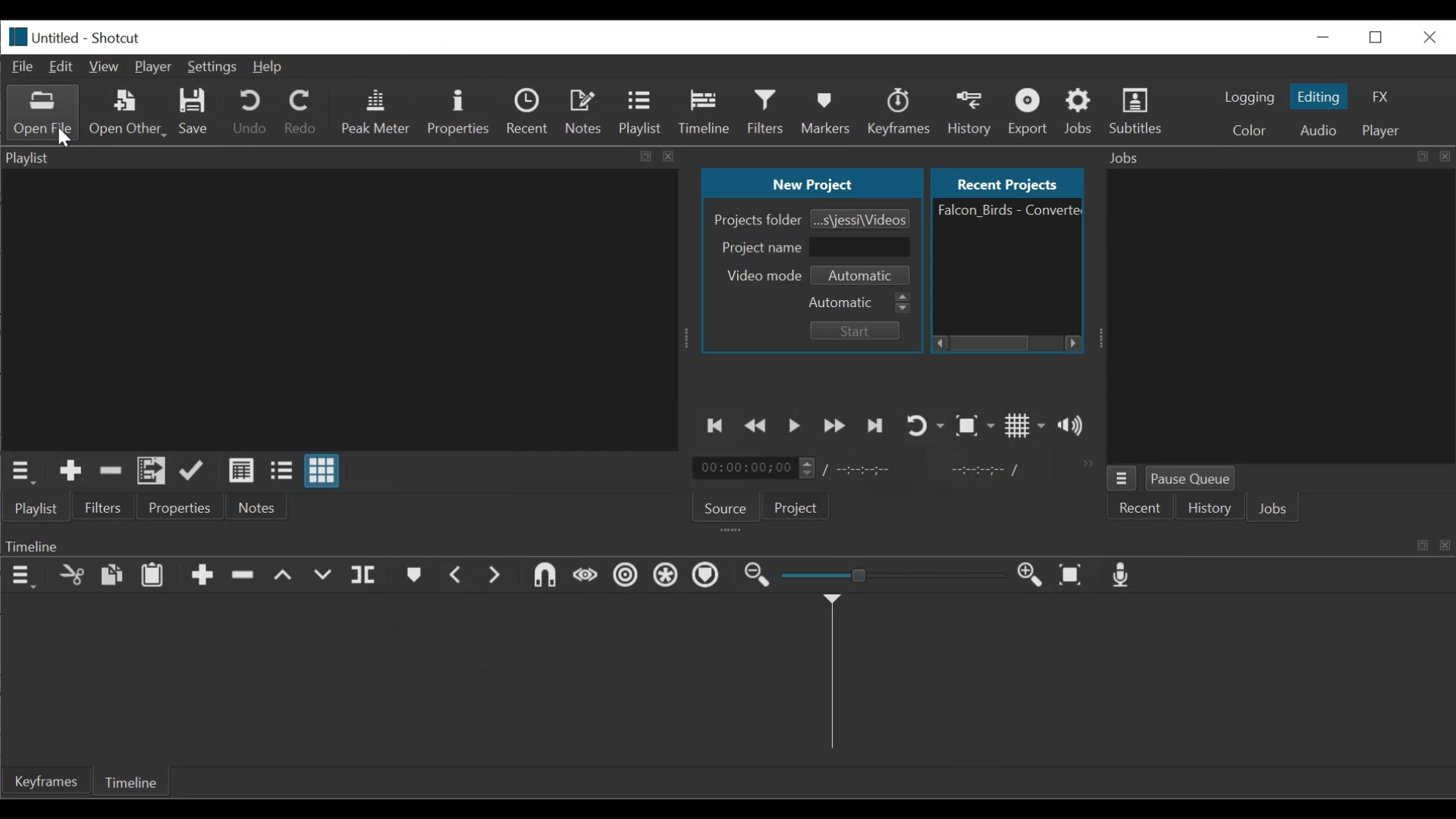 The height and width of the screenshot is (819, 1456). I want to click on lift, so click(284, 576).